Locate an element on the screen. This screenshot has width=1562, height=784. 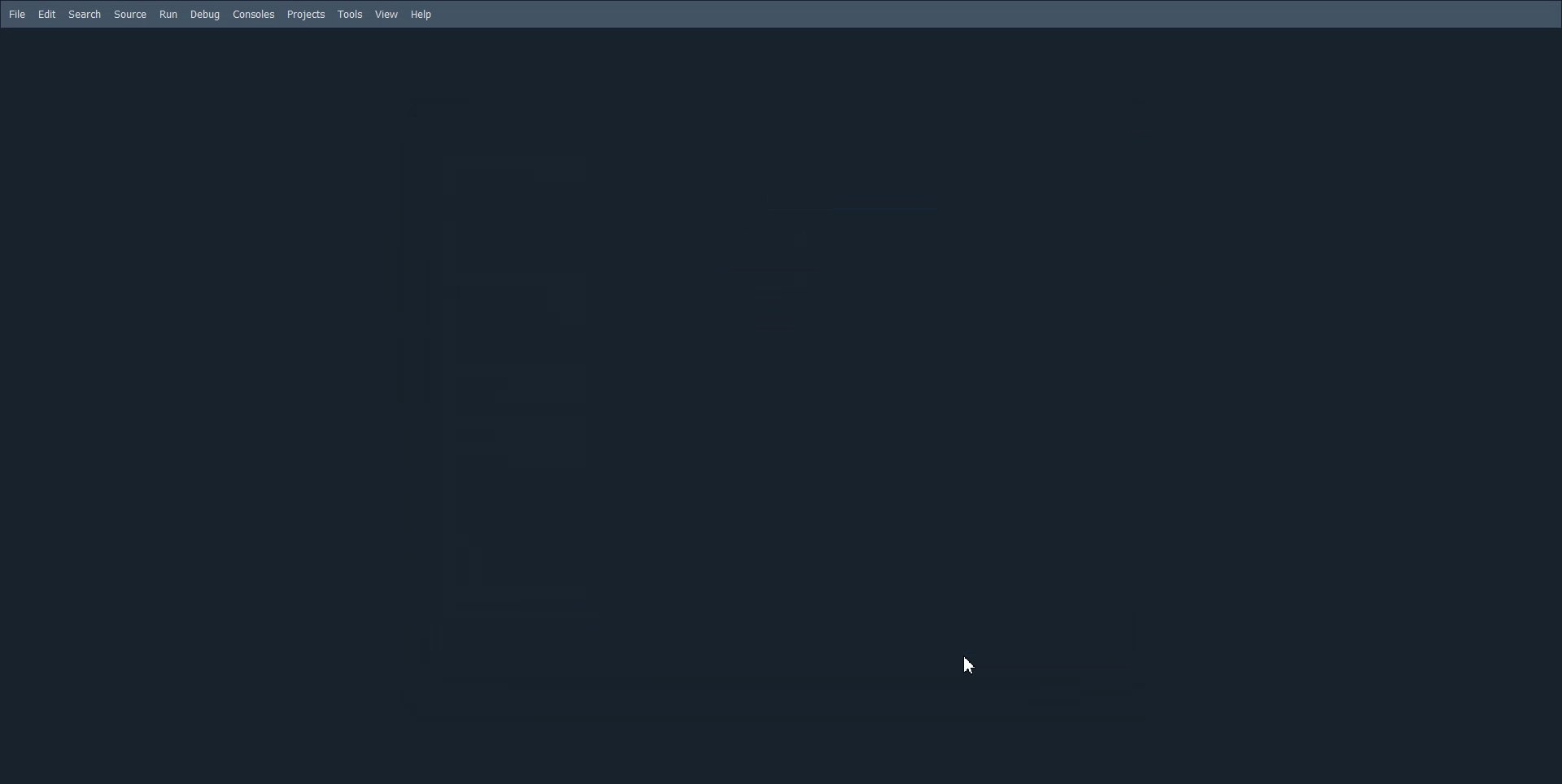
Help is located at coordinates (422, 15).